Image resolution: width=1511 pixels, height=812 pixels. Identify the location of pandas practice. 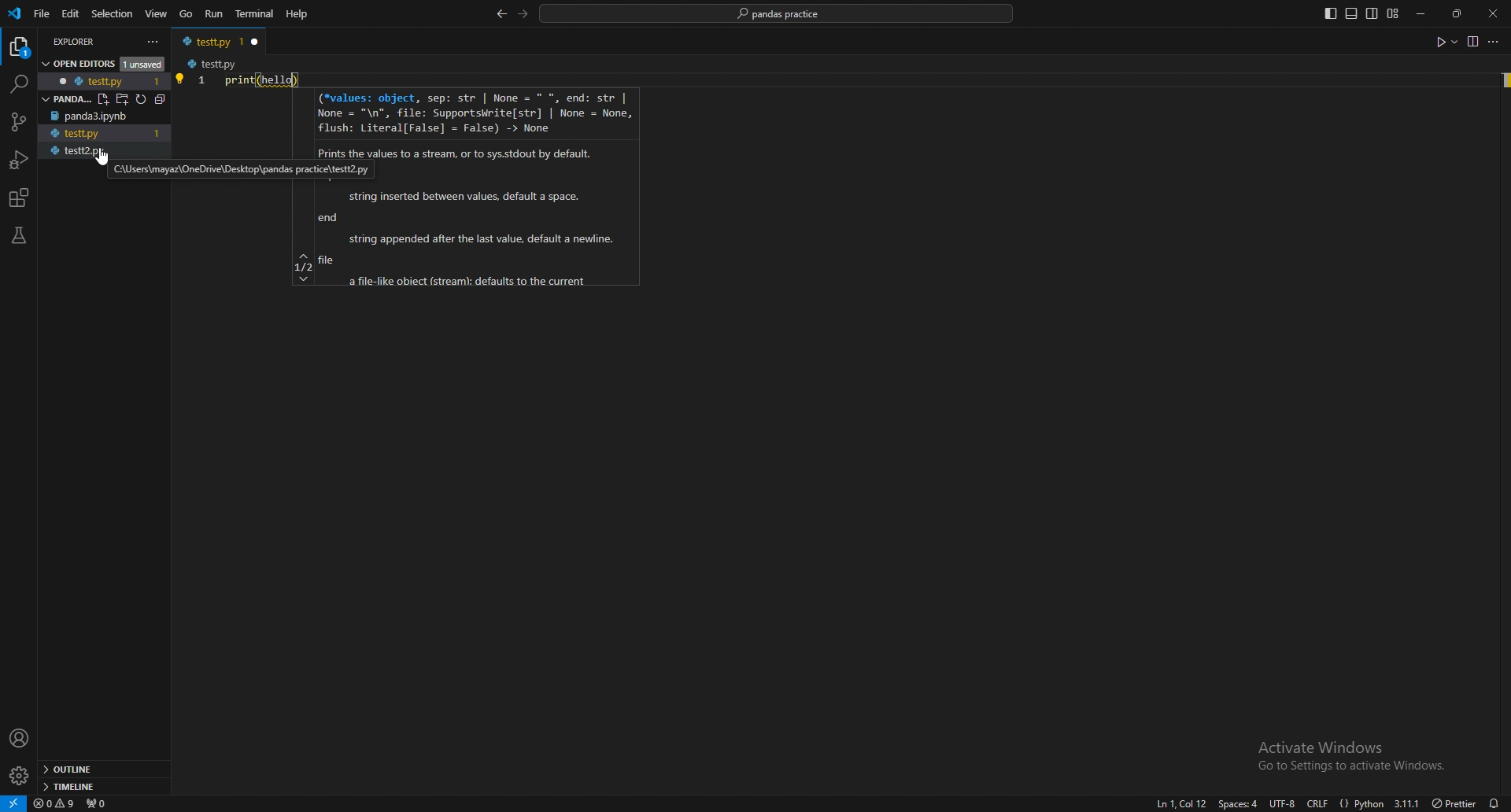
(778, 14).